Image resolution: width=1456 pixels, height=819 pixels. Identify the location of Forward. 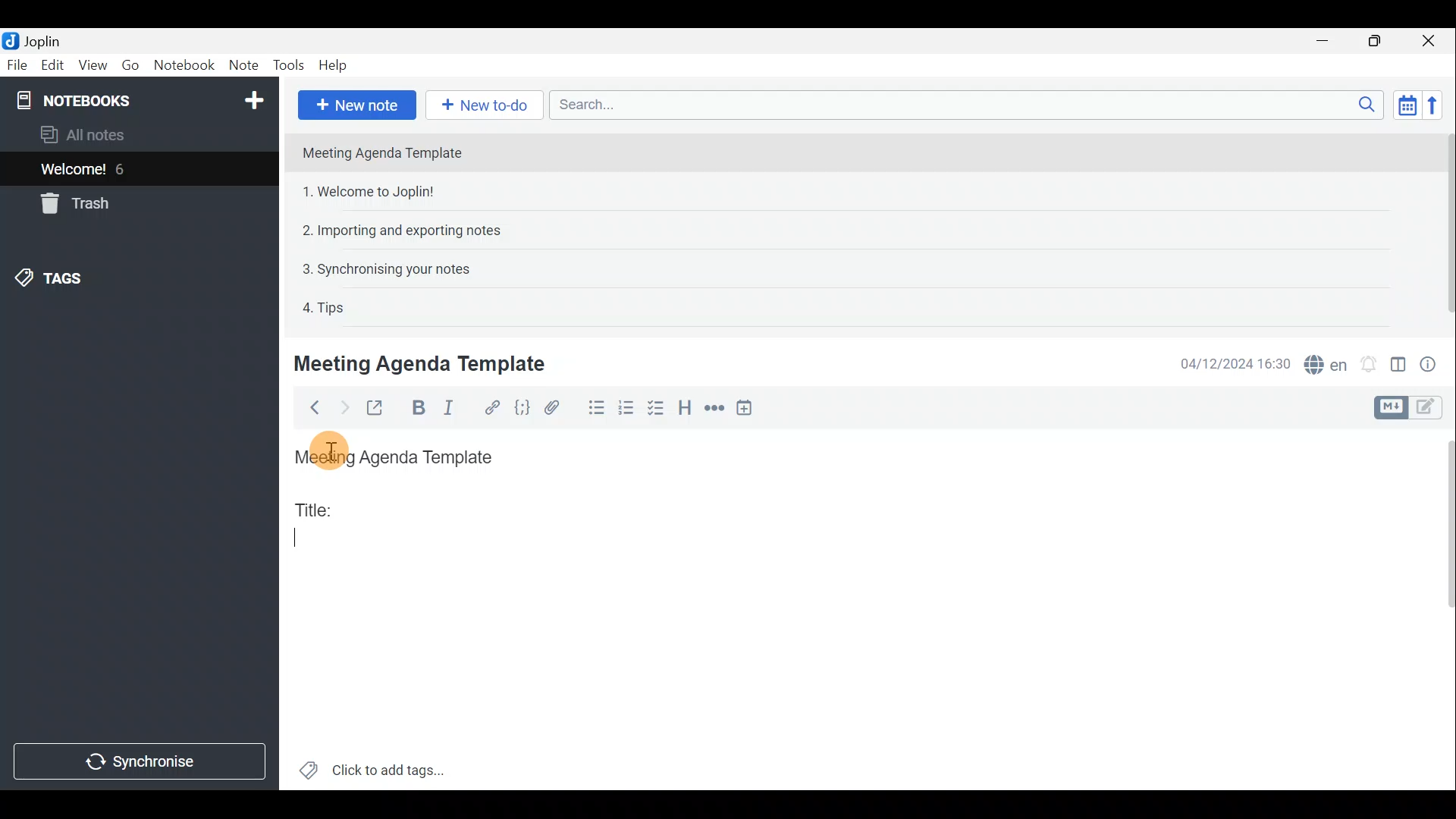
(342, 407).